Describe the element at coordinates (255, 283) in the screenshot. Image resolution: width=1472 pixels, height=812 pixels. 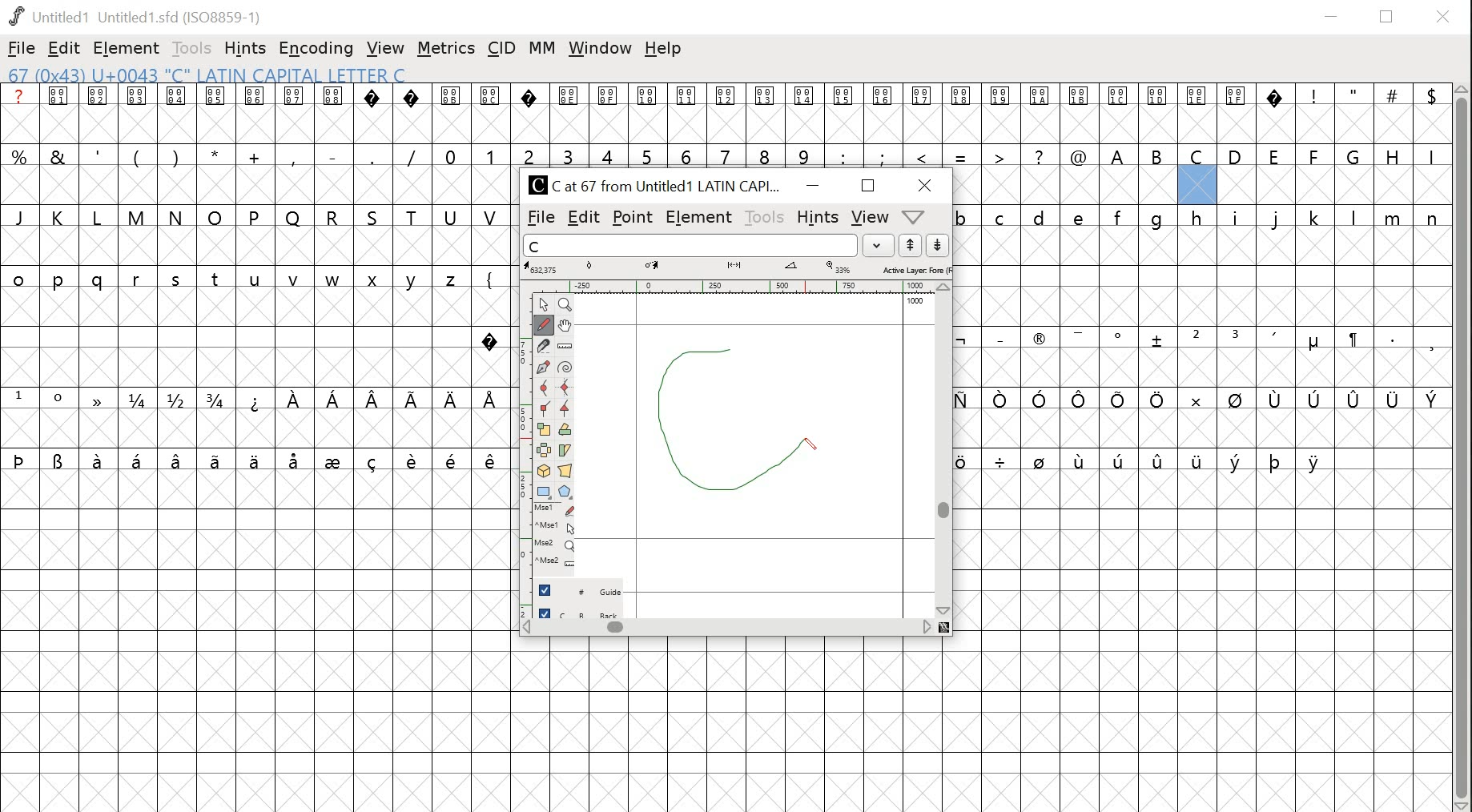
I see `glyphs` at that location.